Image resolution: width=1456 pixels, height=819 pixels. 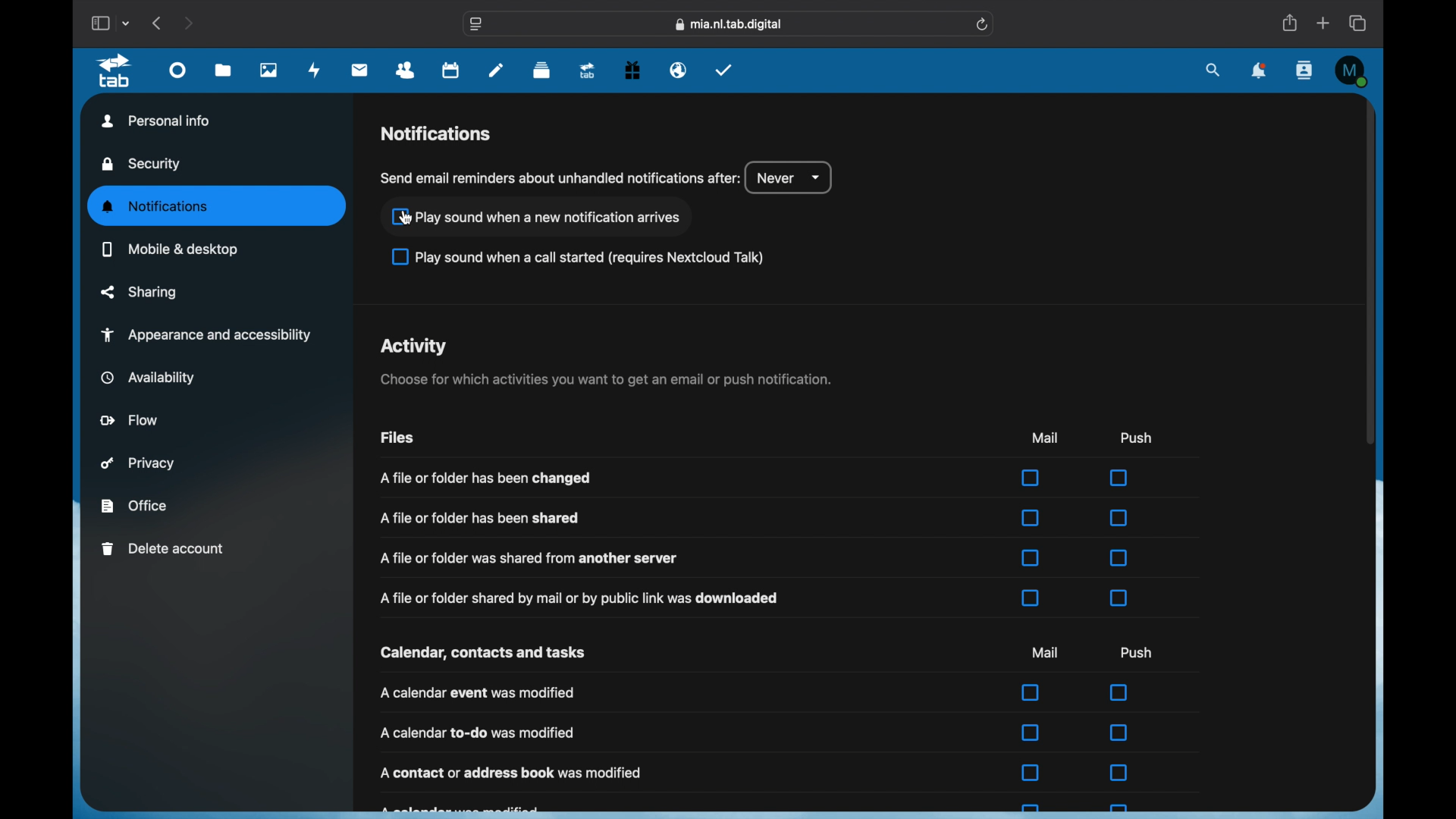 I want to click on mail, so click(x=1045, y=437).